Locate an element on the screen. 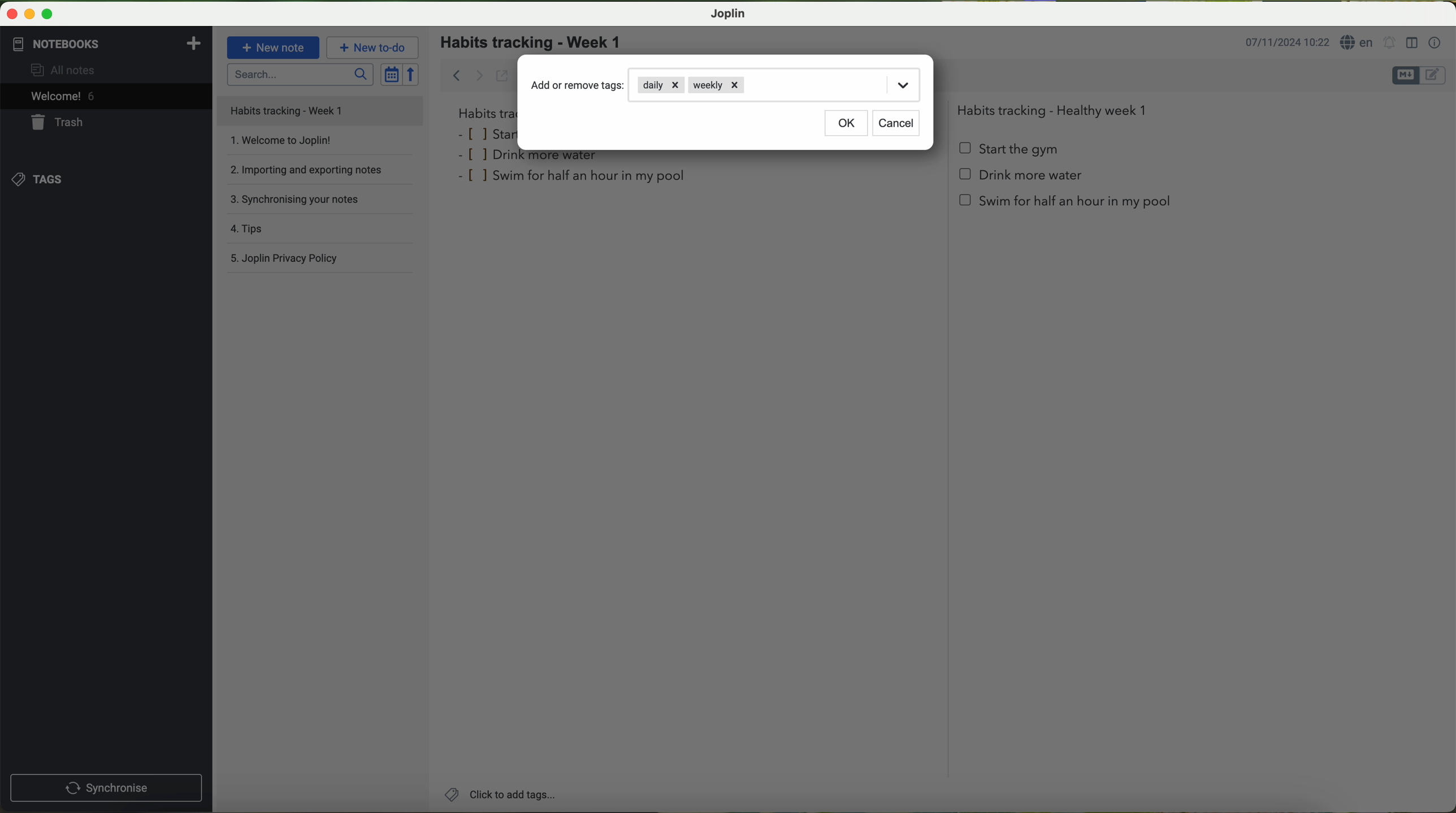 This screenshot has width=1456, height=813. importing and exporting notes is located at coordinates (319, 174).